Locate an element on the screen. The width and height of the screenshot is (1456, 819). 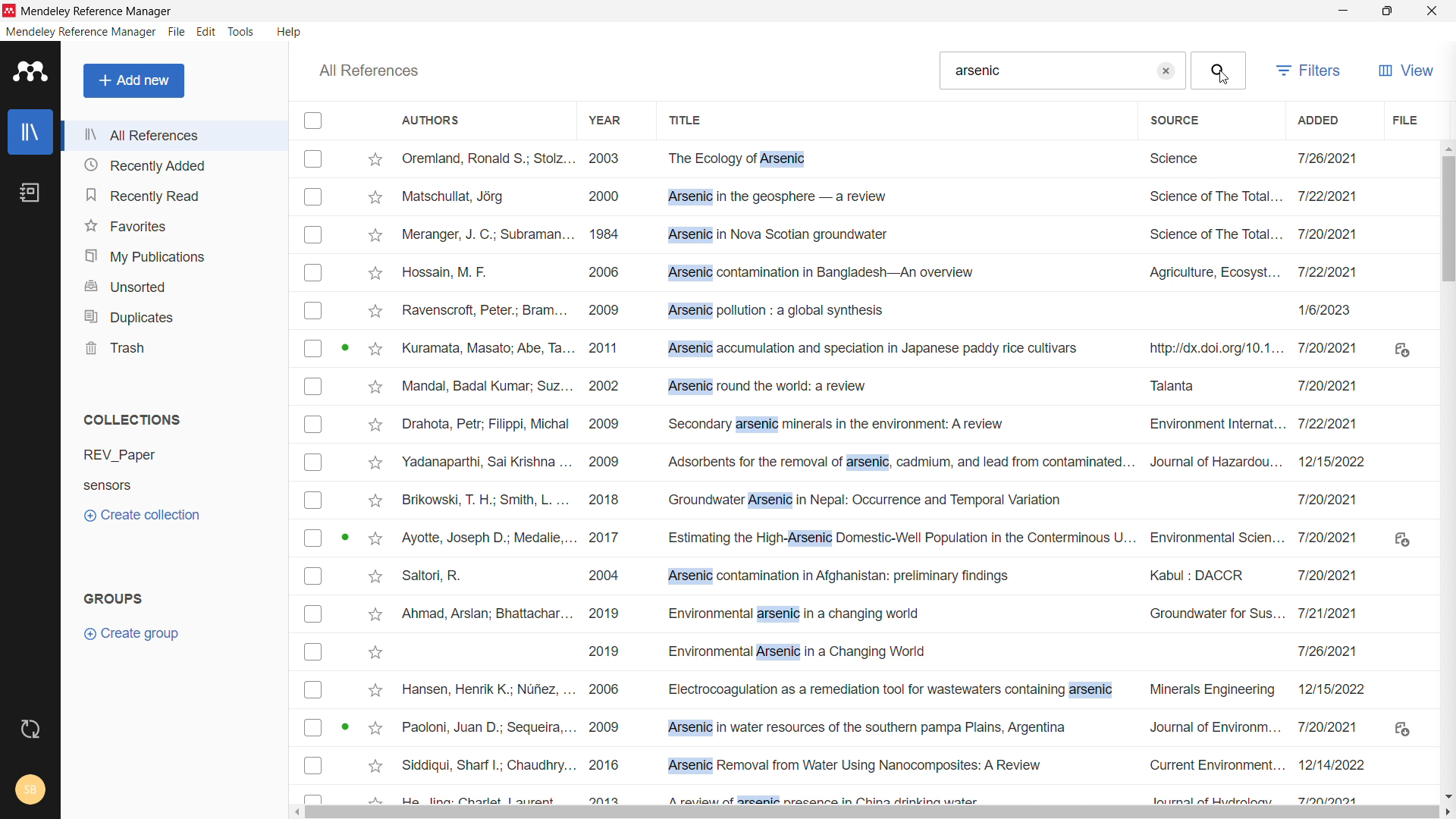
notebook is located at coordinates (30, 193).